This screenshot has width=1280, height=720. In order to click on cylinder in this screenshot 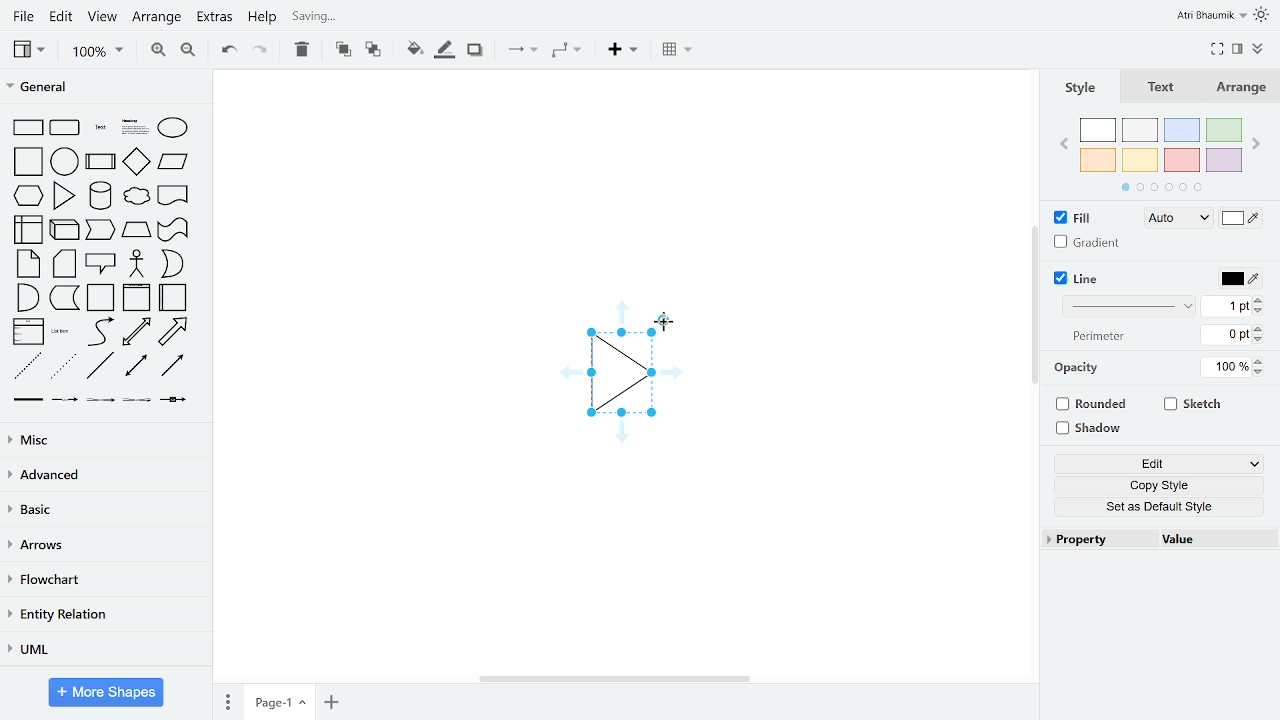, I will do `click(100, 195)`.